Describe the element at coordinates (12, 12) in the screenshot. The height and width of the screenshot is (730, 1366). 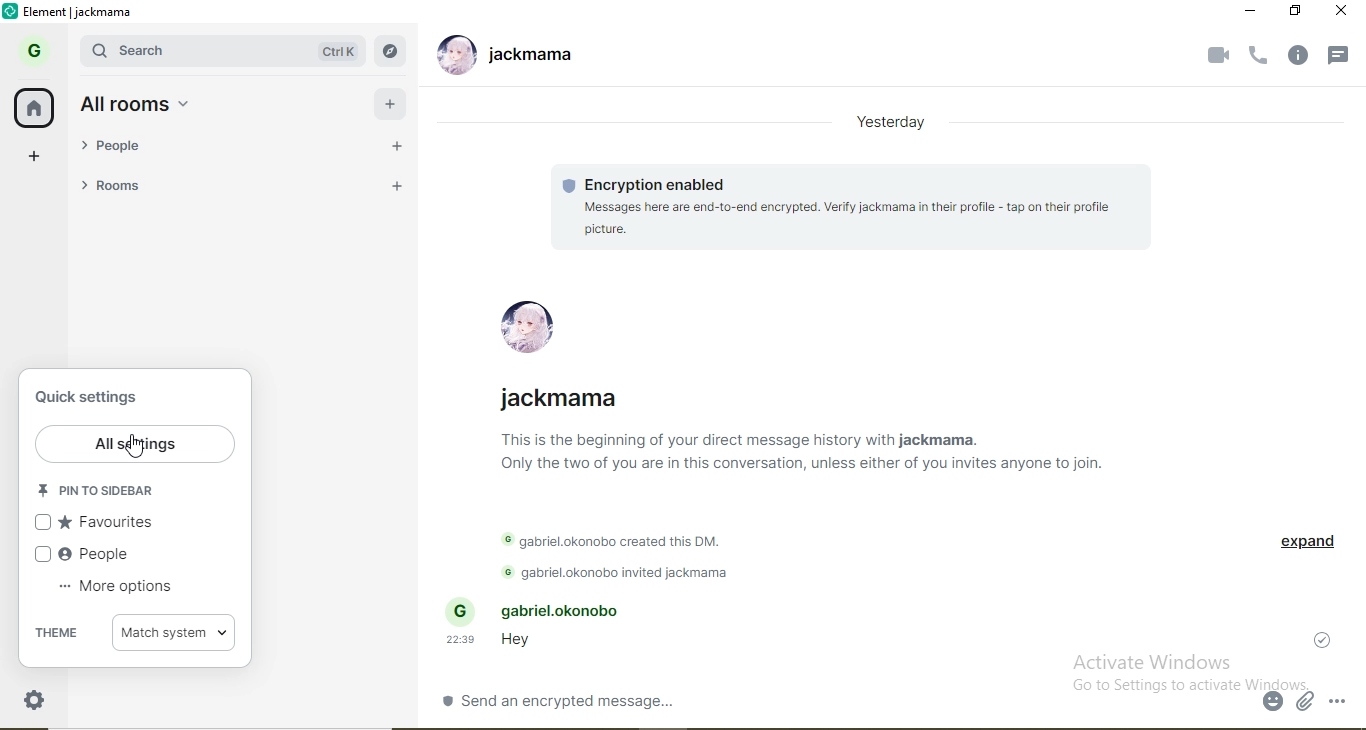
I see `logo` at that location.